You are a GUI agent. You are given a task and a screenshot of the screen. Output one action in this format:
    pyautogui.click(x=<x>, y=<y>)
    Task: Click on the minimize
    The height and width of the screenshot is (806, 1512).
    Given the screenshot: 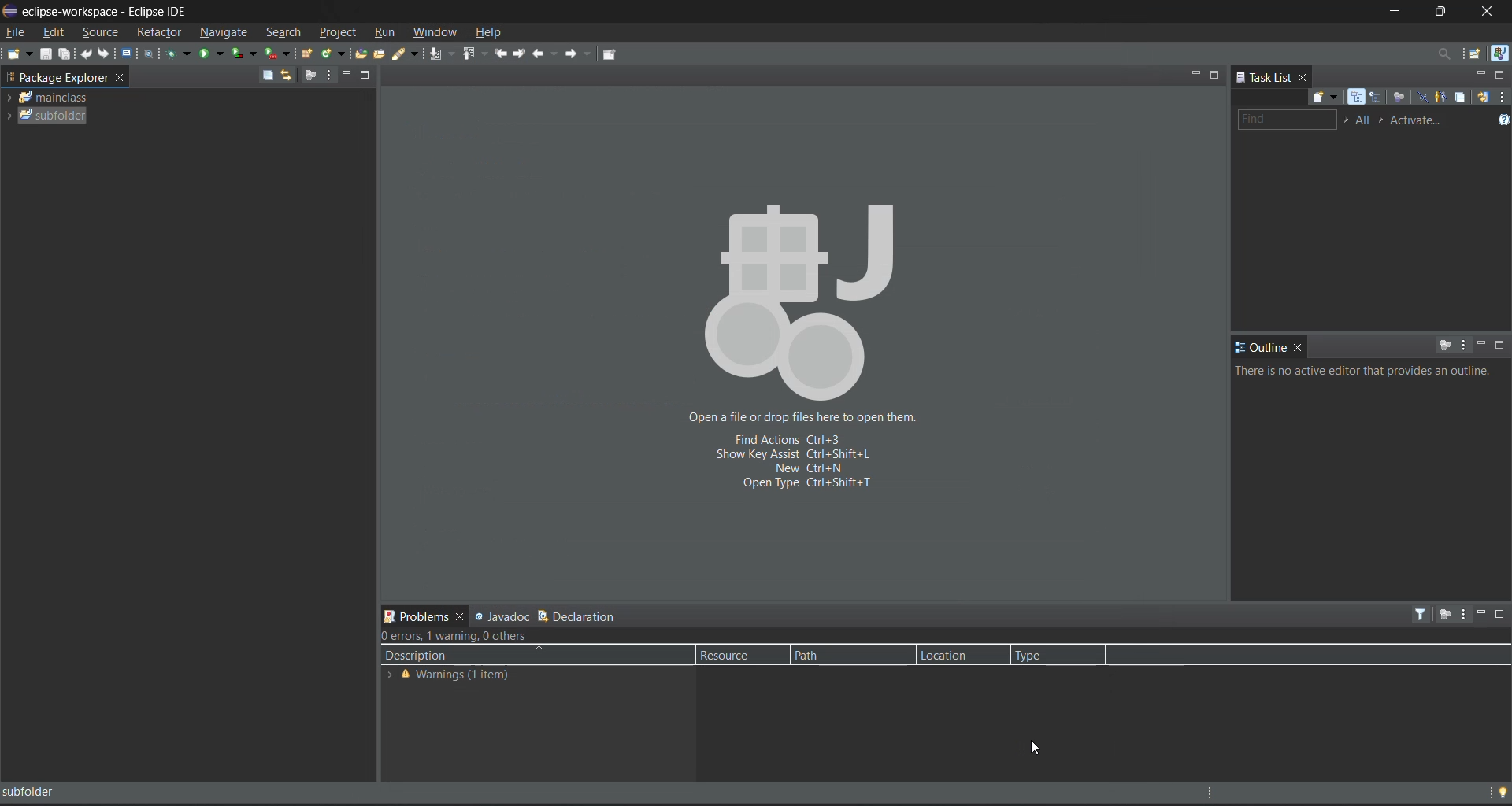 What is the action you would take?
    pyautogui.click(x=348, y=72)
    